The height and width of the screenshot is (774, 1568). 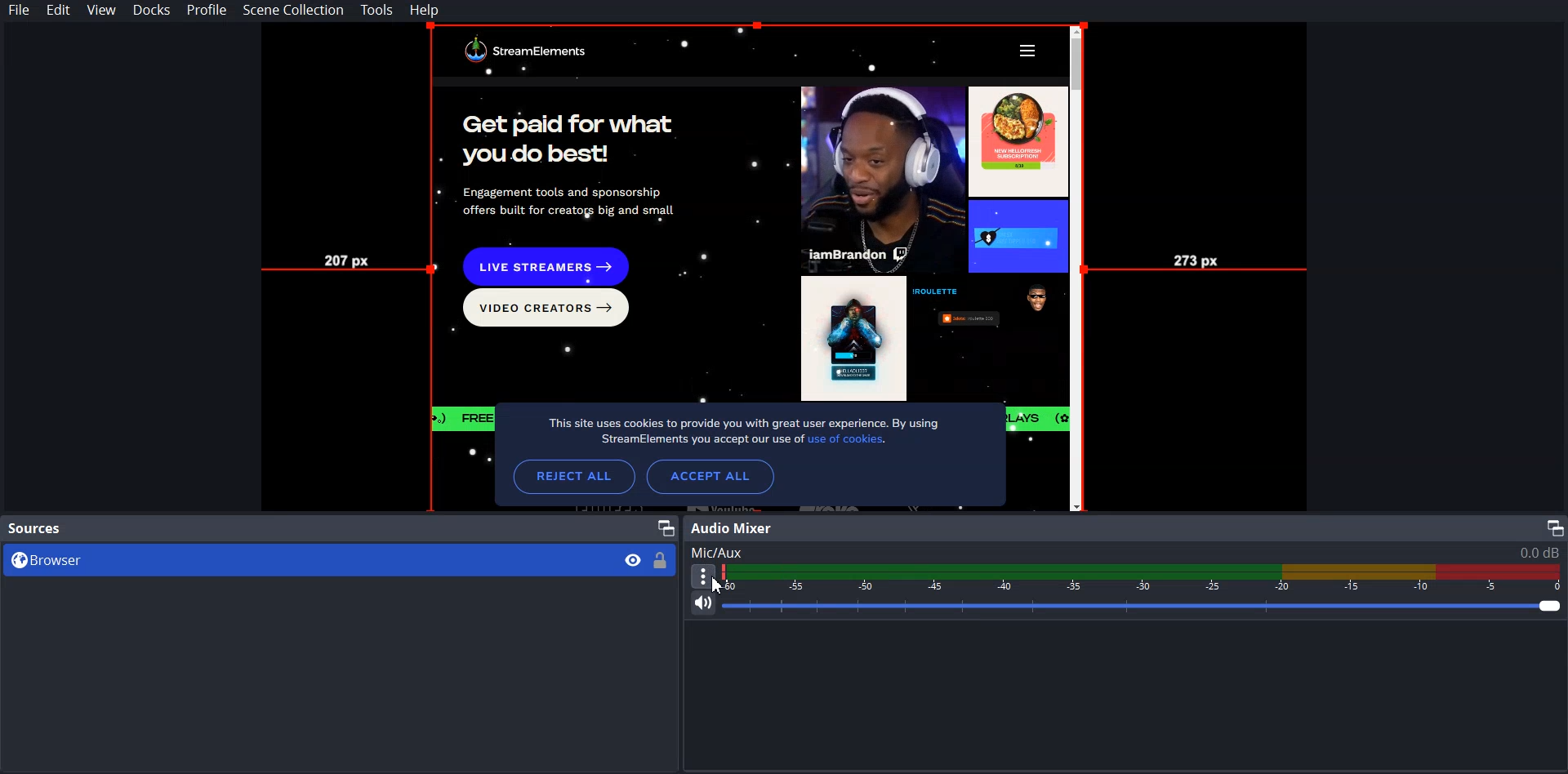 What do you see at coordinates (634, 561) in the screenshot?
I see `Eye` at bounding box center [634, 561].